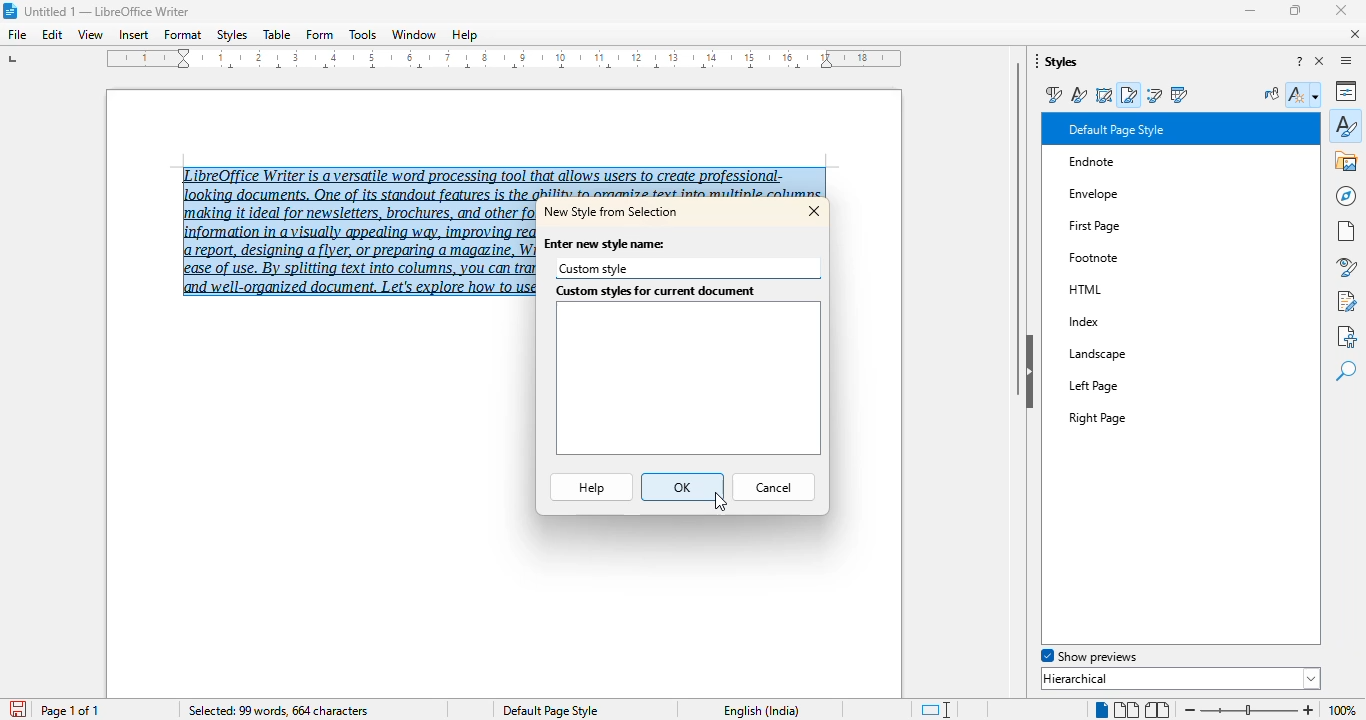 The width and height of the screenshot is (1366, 720). Describe the element at coordinates (934, 710) in the screenshot. I see `standard selection` at that location.